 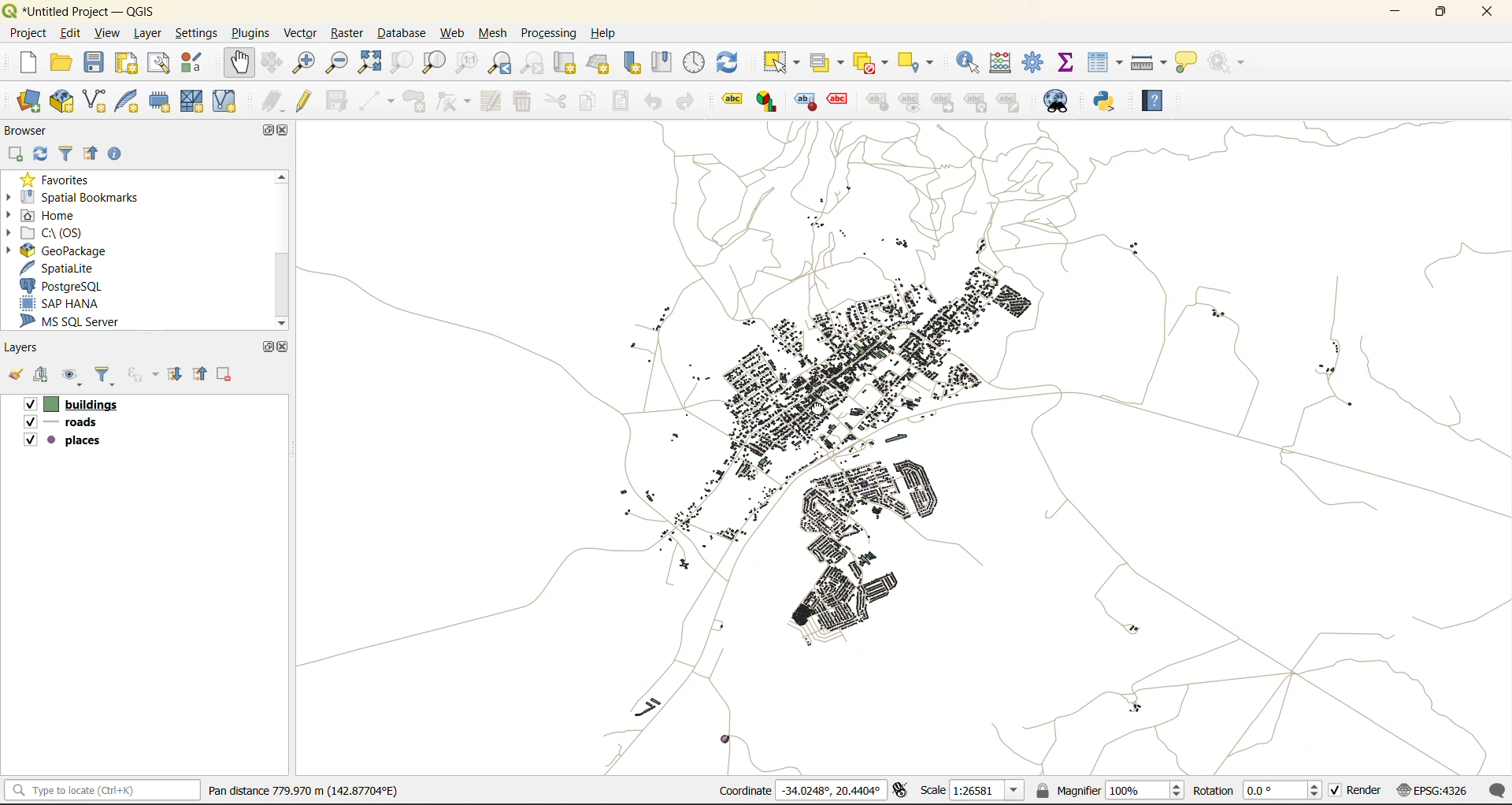 What do you see at coordinates (196, 31) in the screenshot?
I see `settings` at bounding box center [196, 31].